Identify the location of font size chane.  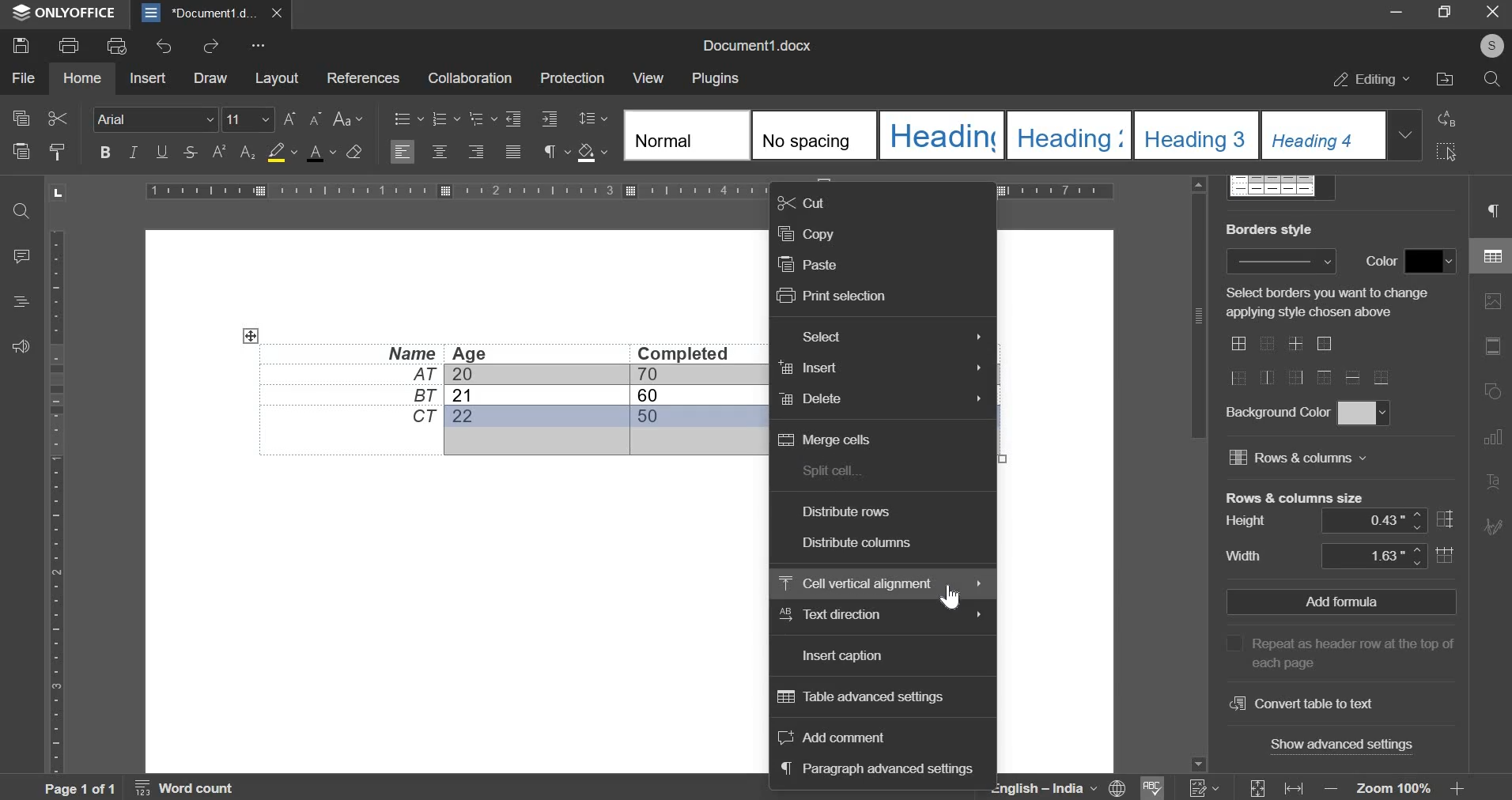
(301, 116).